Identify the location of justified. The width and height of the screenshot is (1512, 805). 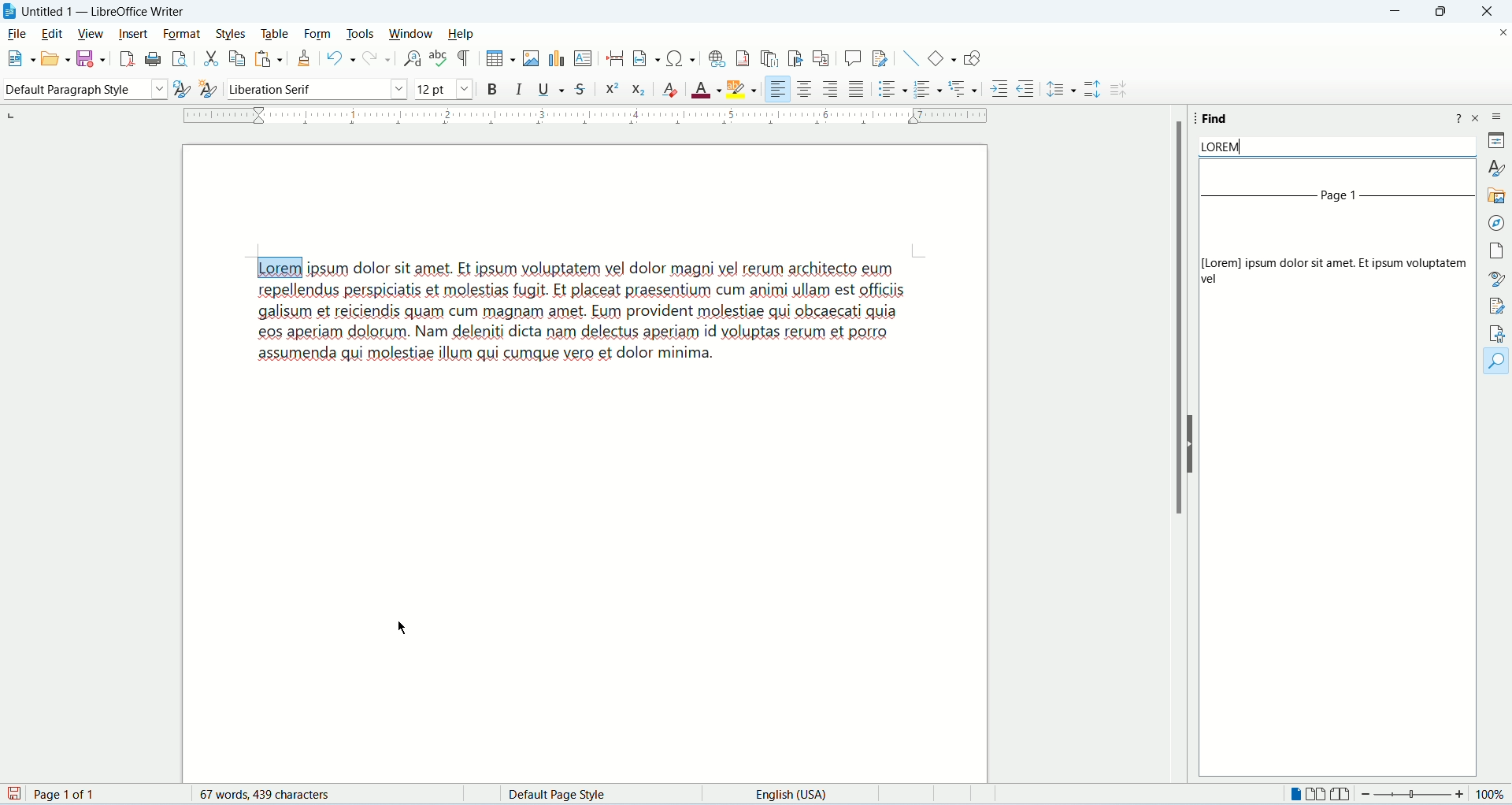
(854, 89).